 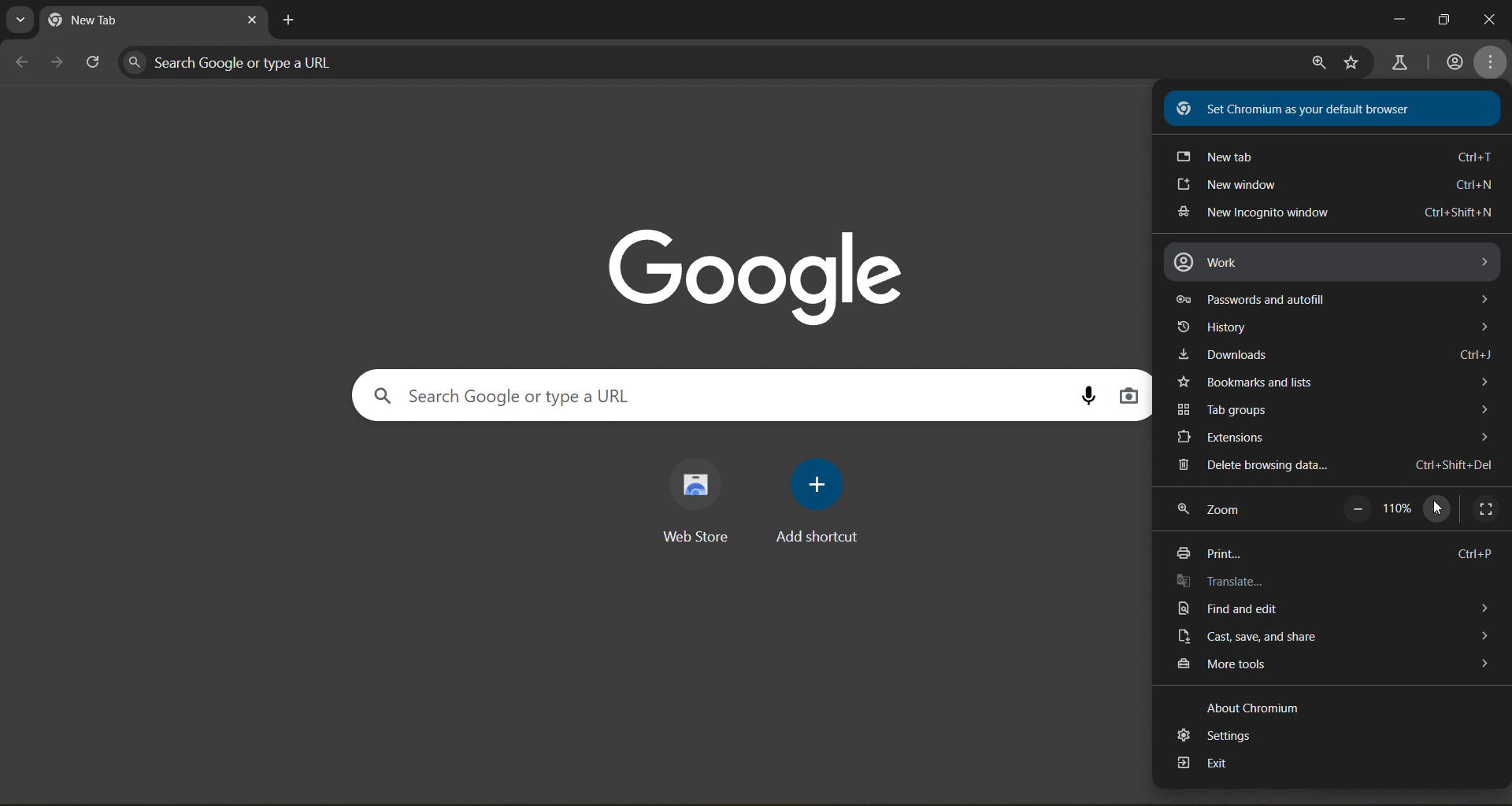 I want to click on passwords and autofill, so click(x=1336, y=298).